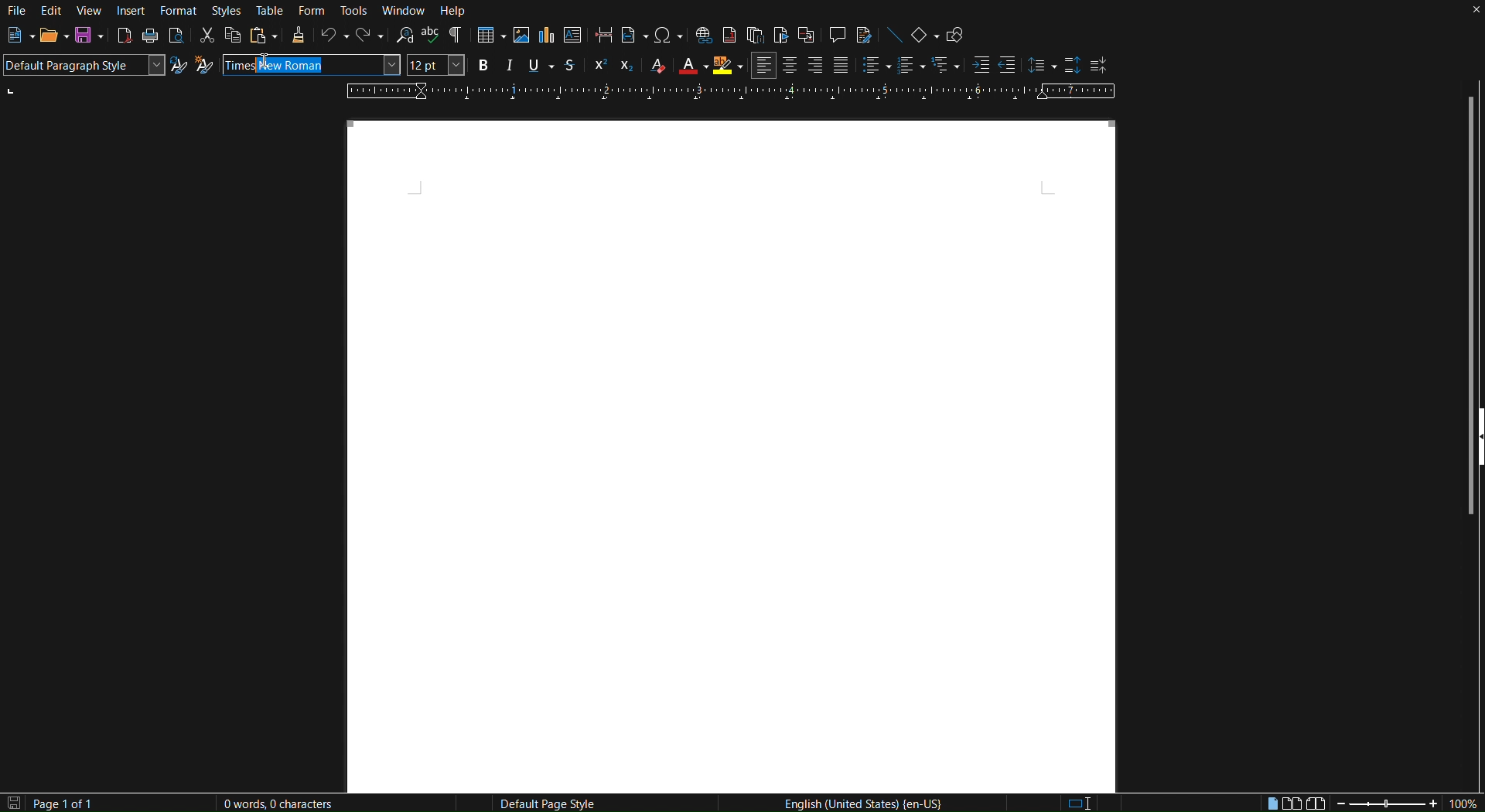  What do you see at coordinates (1429, 802) in the screenshot?
I see `Zoom in` at bounding box center [1429, 802].